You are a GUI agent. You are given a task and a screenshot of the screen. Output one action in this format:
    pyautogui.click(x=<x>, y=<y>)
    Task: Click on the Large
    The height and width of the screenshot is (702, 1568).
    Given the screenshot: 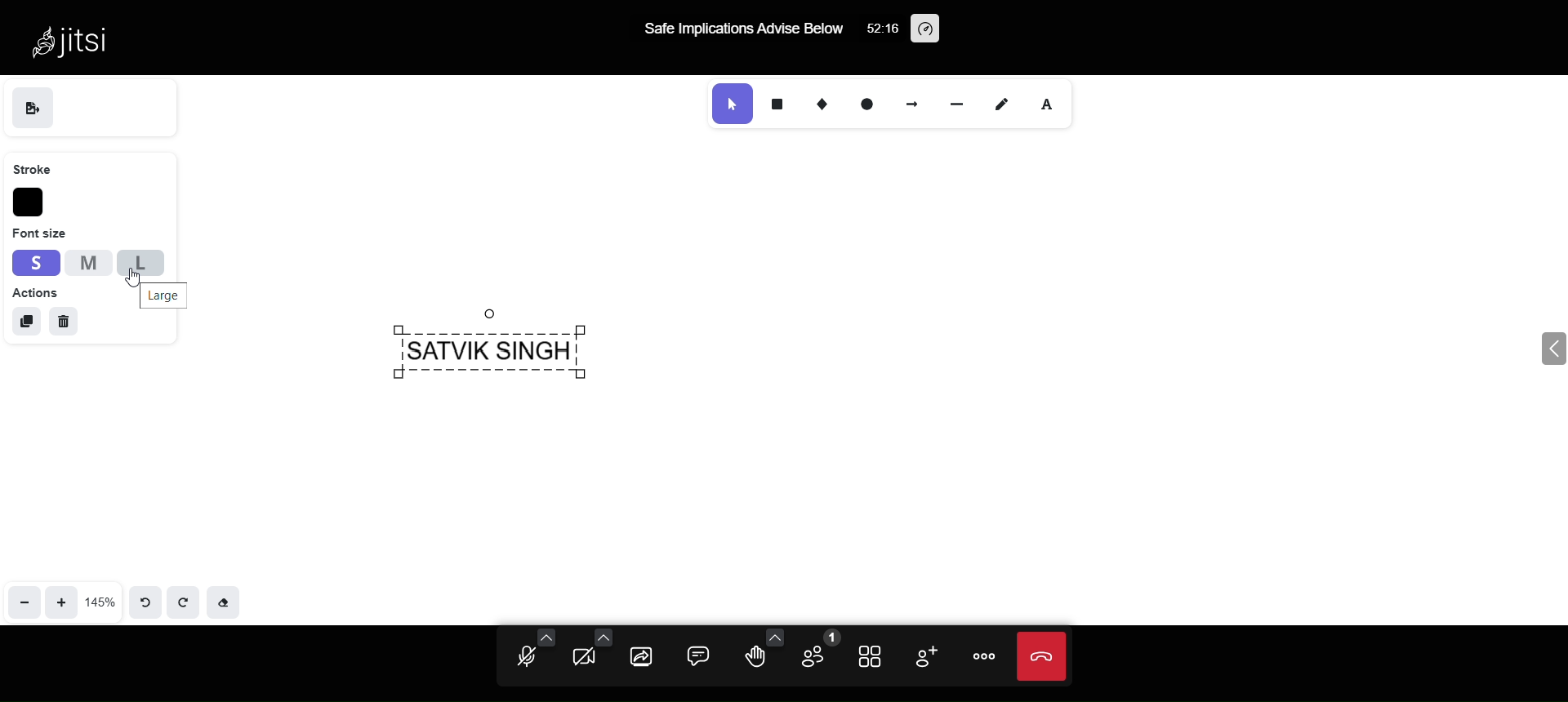 What is the action you would take?
    pyautogui.click(x=171, y=295)
    